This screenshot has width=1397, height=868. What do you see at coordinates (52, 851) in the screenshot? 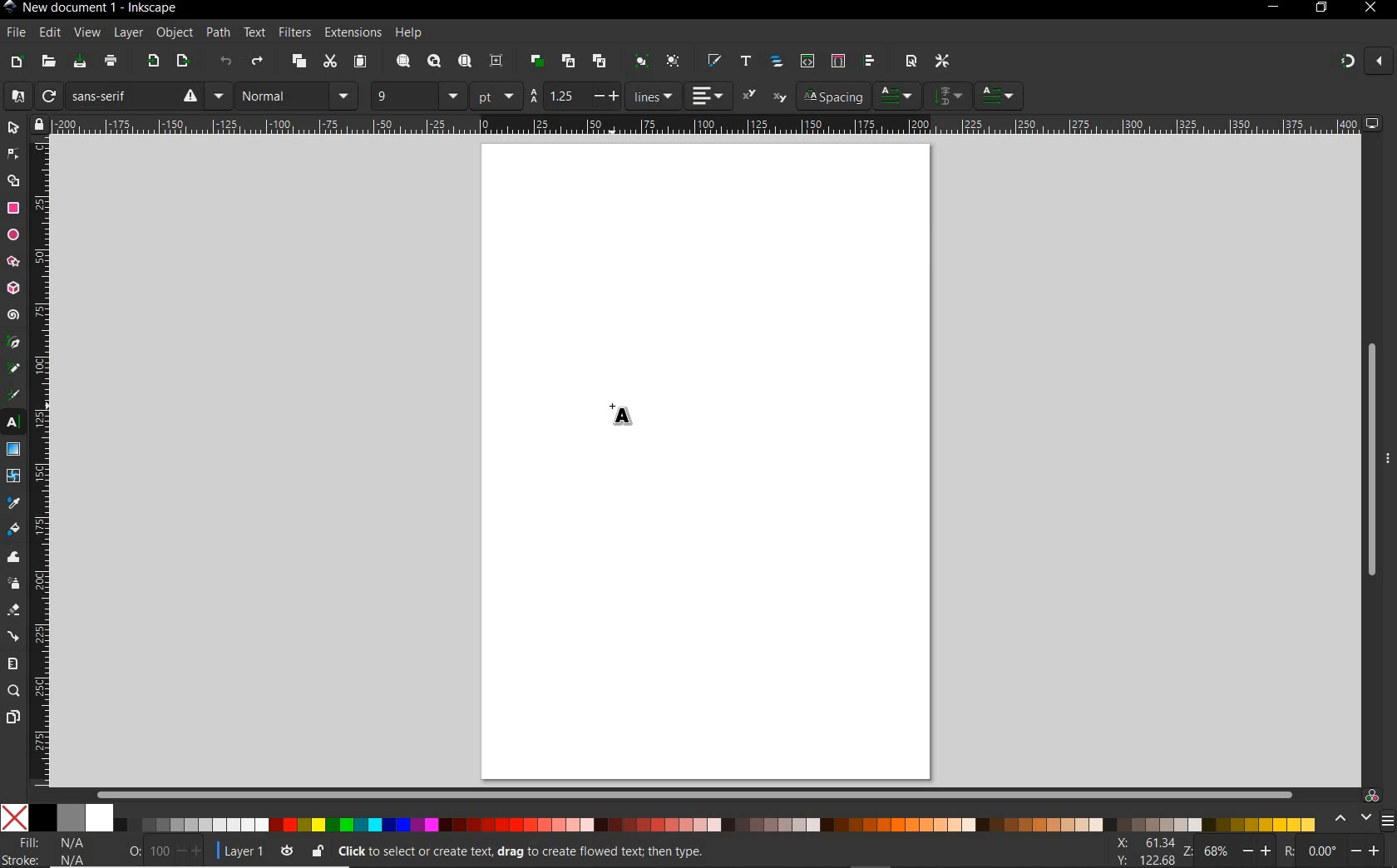
I see `Fill and Stroke` at bounding box center [52, 851].